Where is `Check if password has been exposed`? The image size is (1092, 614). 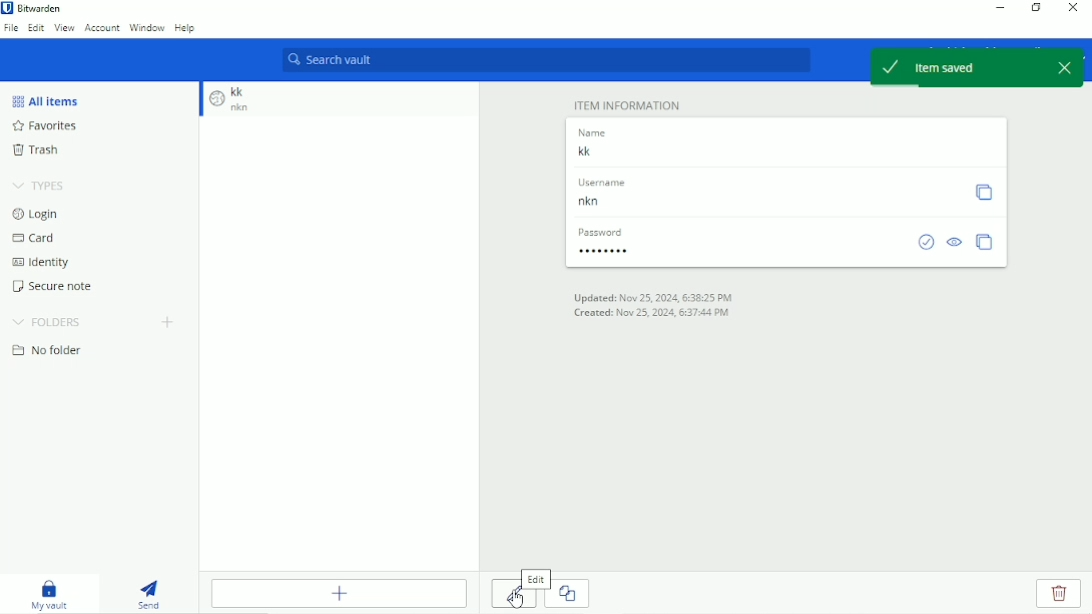 Check if password has been exposed is located at coordinates (926, 242).